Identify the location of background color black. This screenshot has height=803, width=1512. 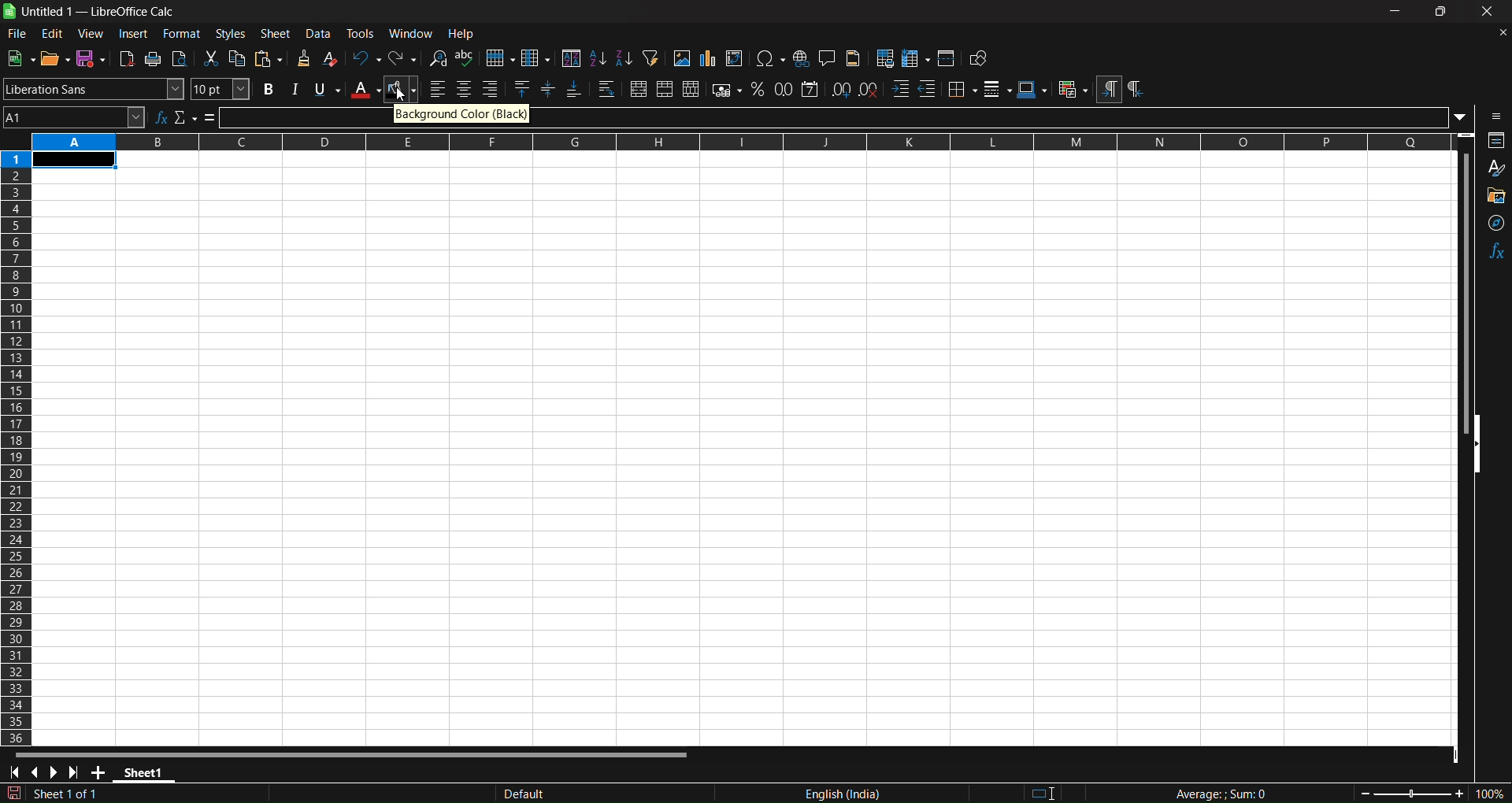
(404, 90).